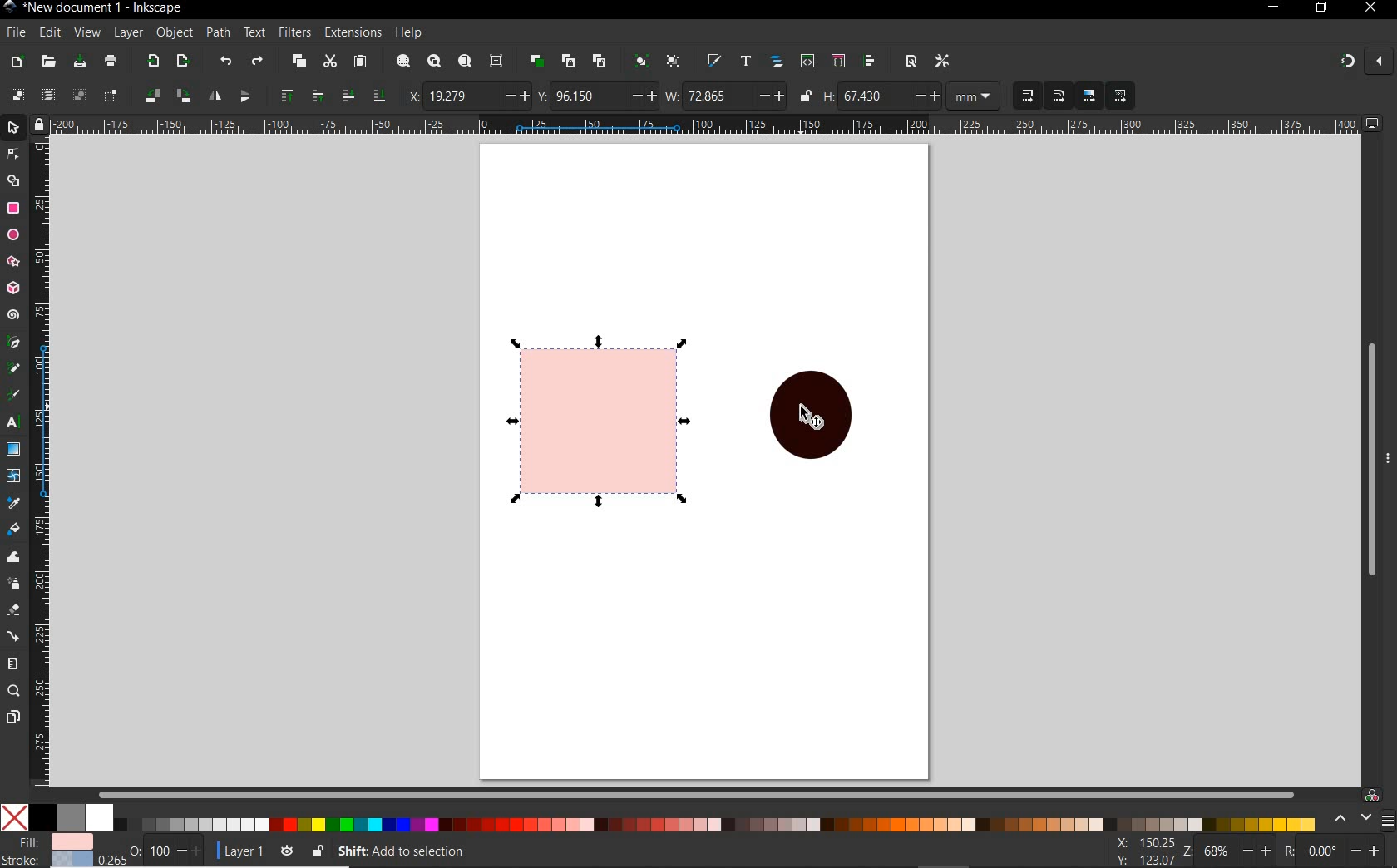 Image resolution: width=1397 pixels, height=868 pixels. Describe the element at coordinates (45, 94) in the screenshot. I see `select all in all layers` at that location.